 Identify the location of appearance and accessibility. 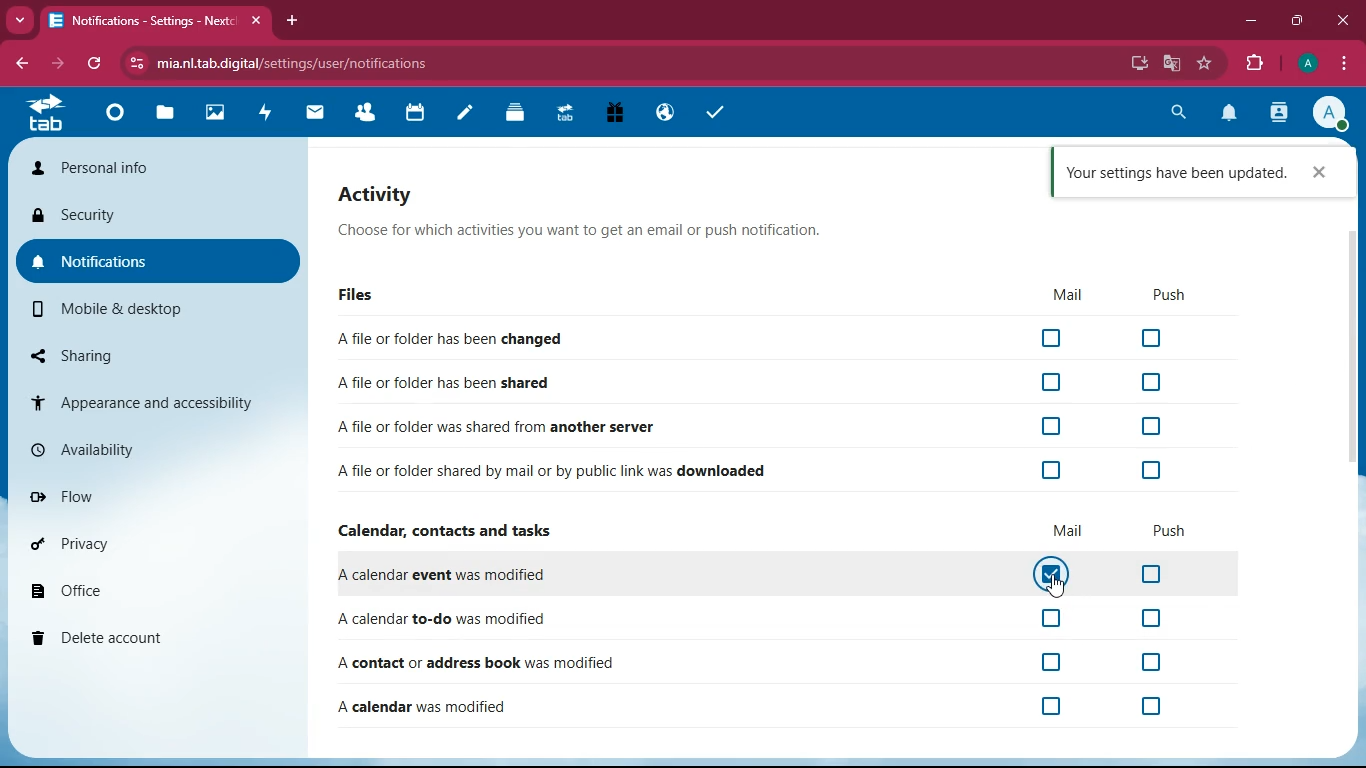
(156, 403).